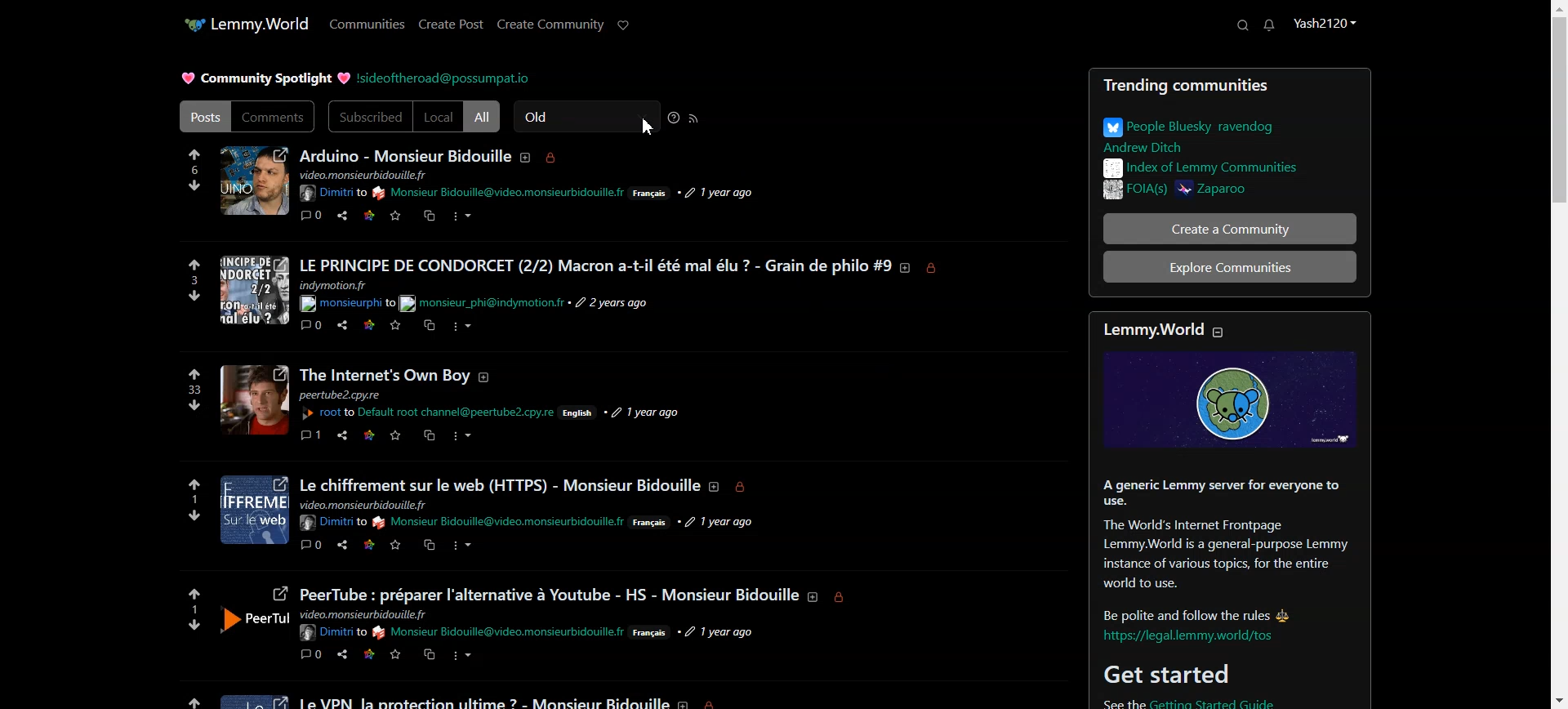 The width and height of the screenshot is (1568, 709). I want to click on Posts, so click(1230, 87).